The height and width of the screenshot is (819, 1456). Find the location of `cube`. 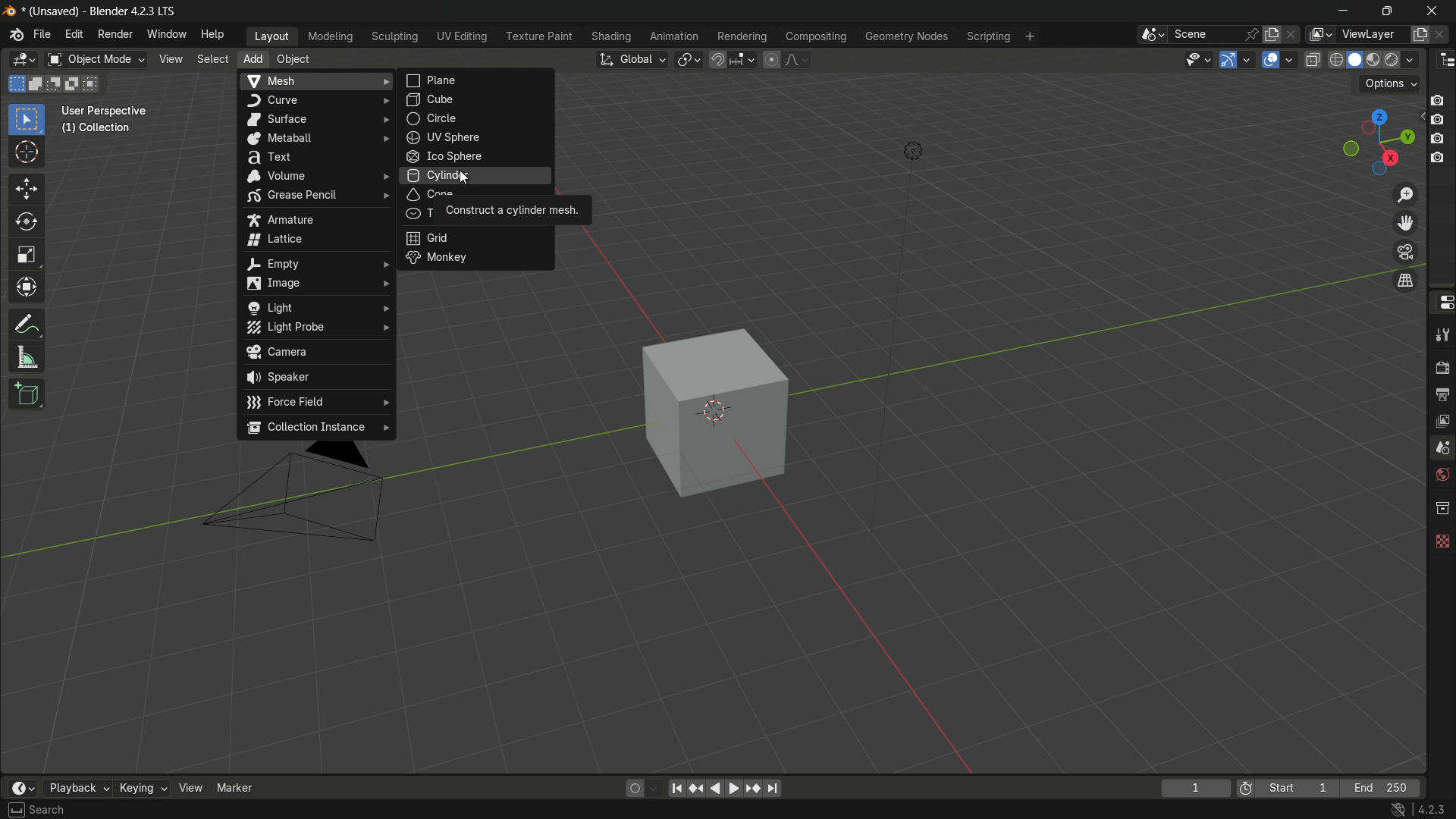

cube is located at coordinates (475, 99).